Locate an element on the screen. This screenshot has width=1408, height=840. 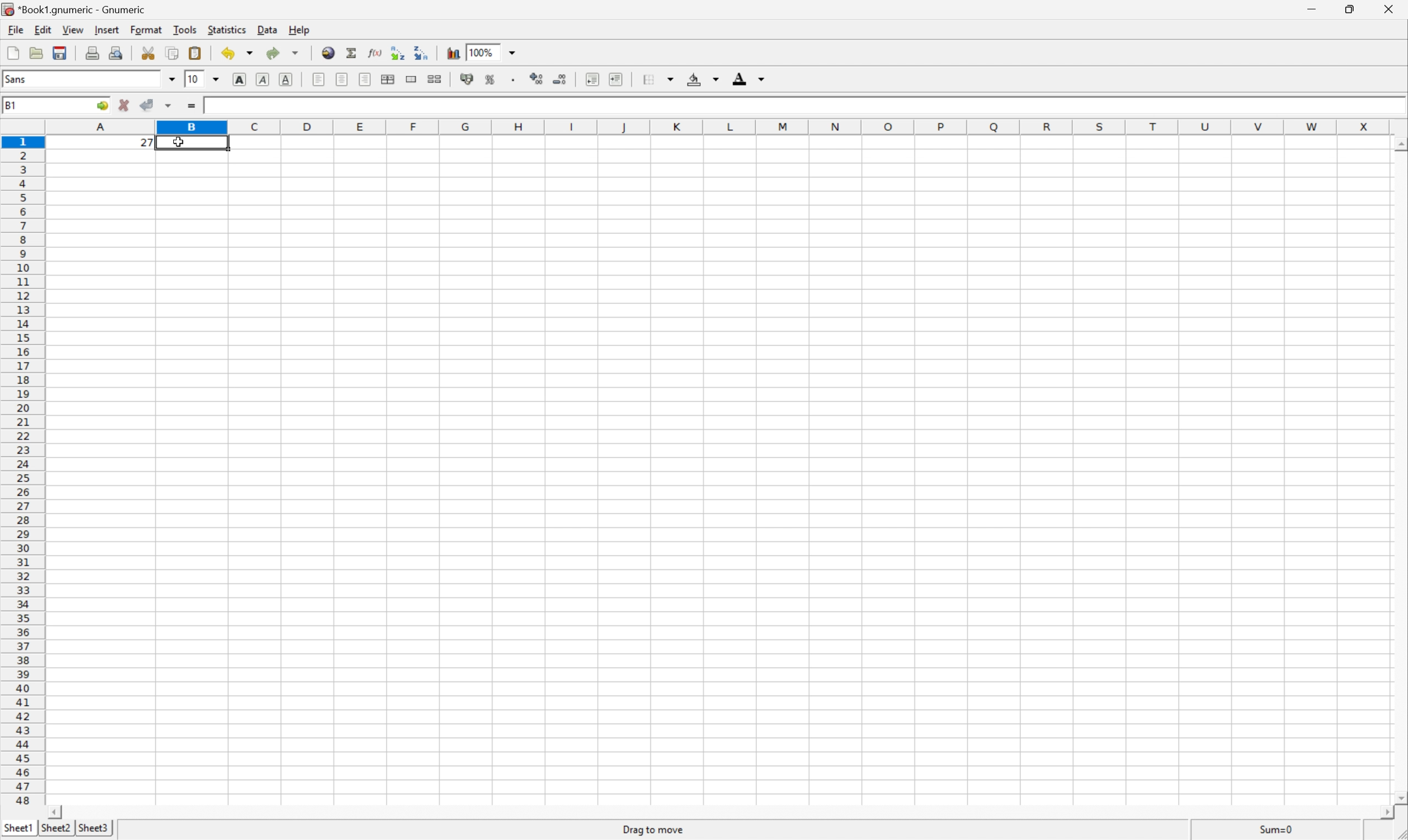
Cursor is located at coordinates (181, 141).